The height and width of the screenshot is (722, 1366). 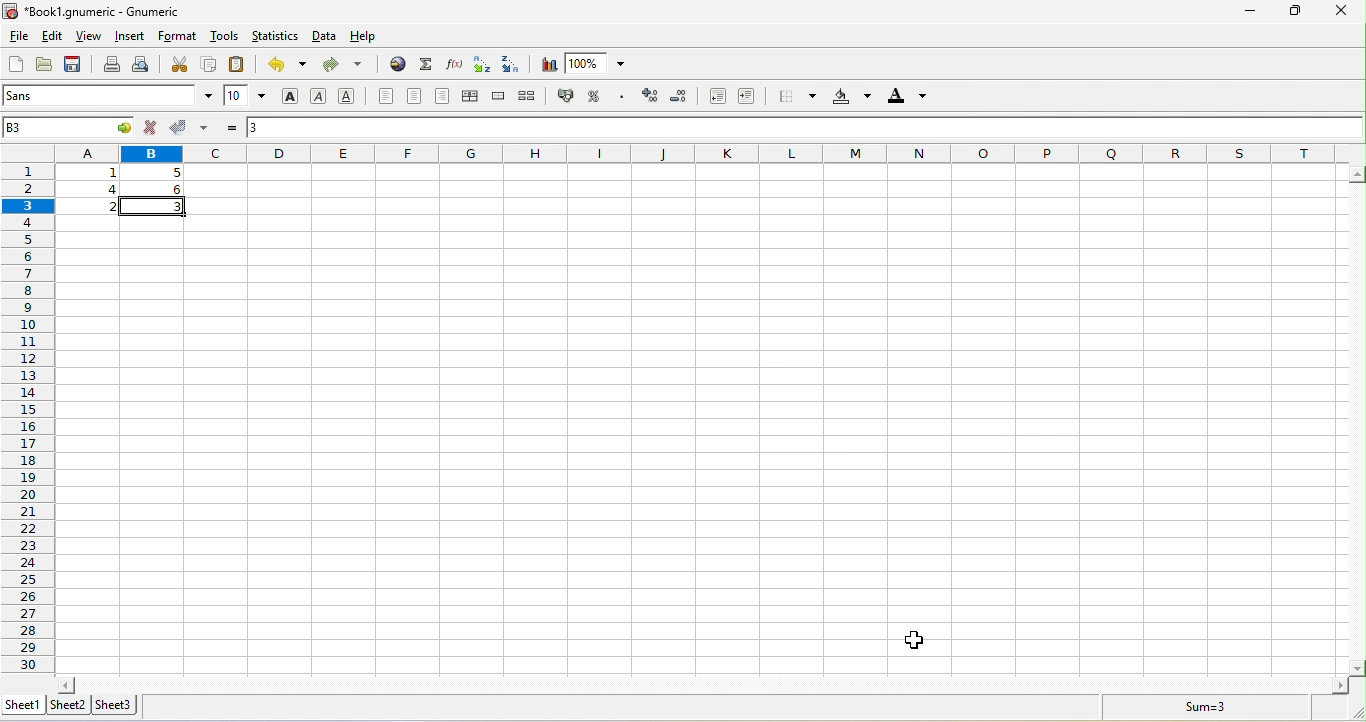 What do you see at coordinates (13, 65) in the screenshot?
I see `new work book` at bounding box center [13, 65].